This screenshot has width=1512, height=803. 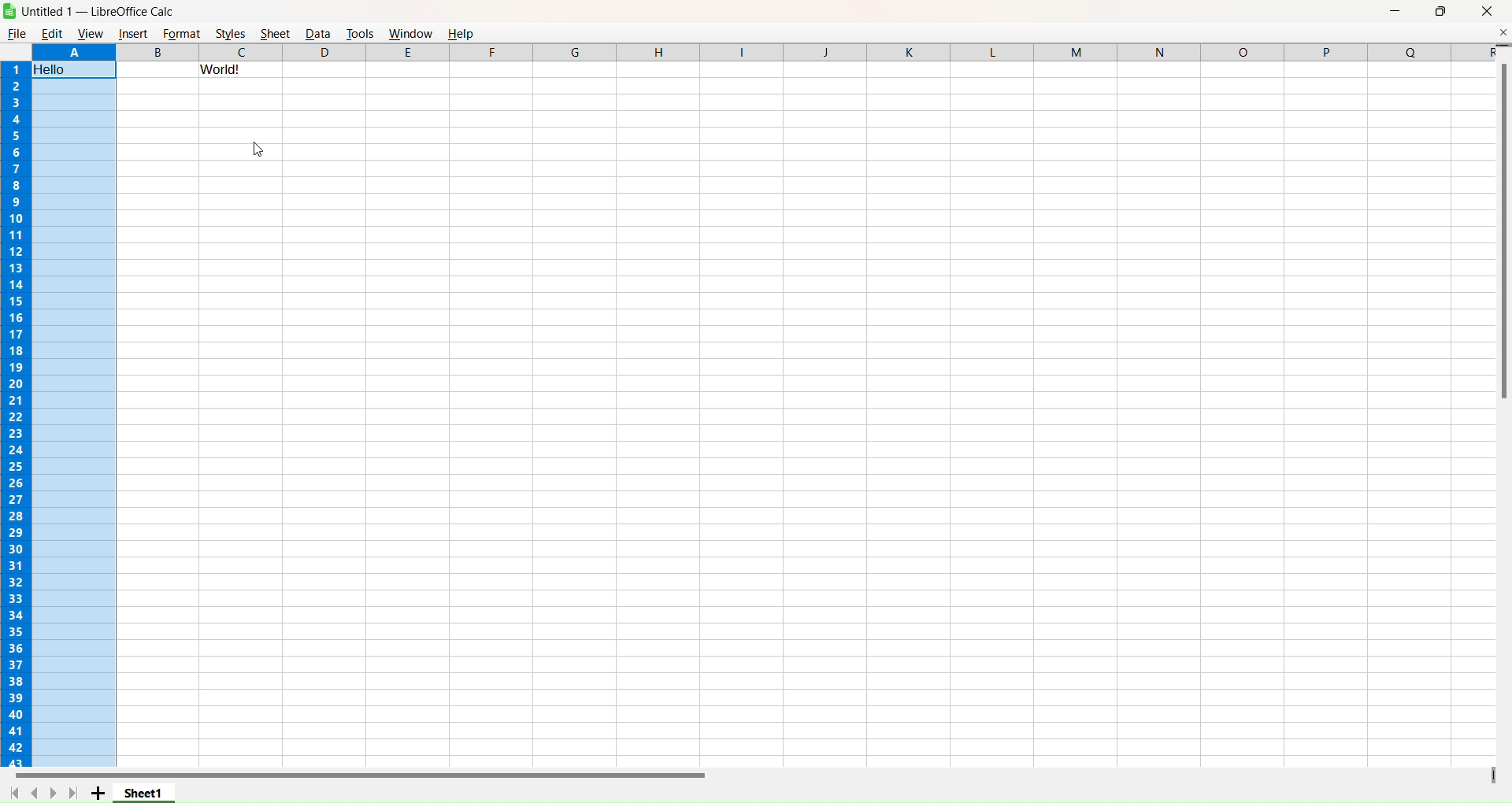 What do you see at coordinates (157, 52) in the screenshot?
I see `column added` at bounding box center [157, 52].